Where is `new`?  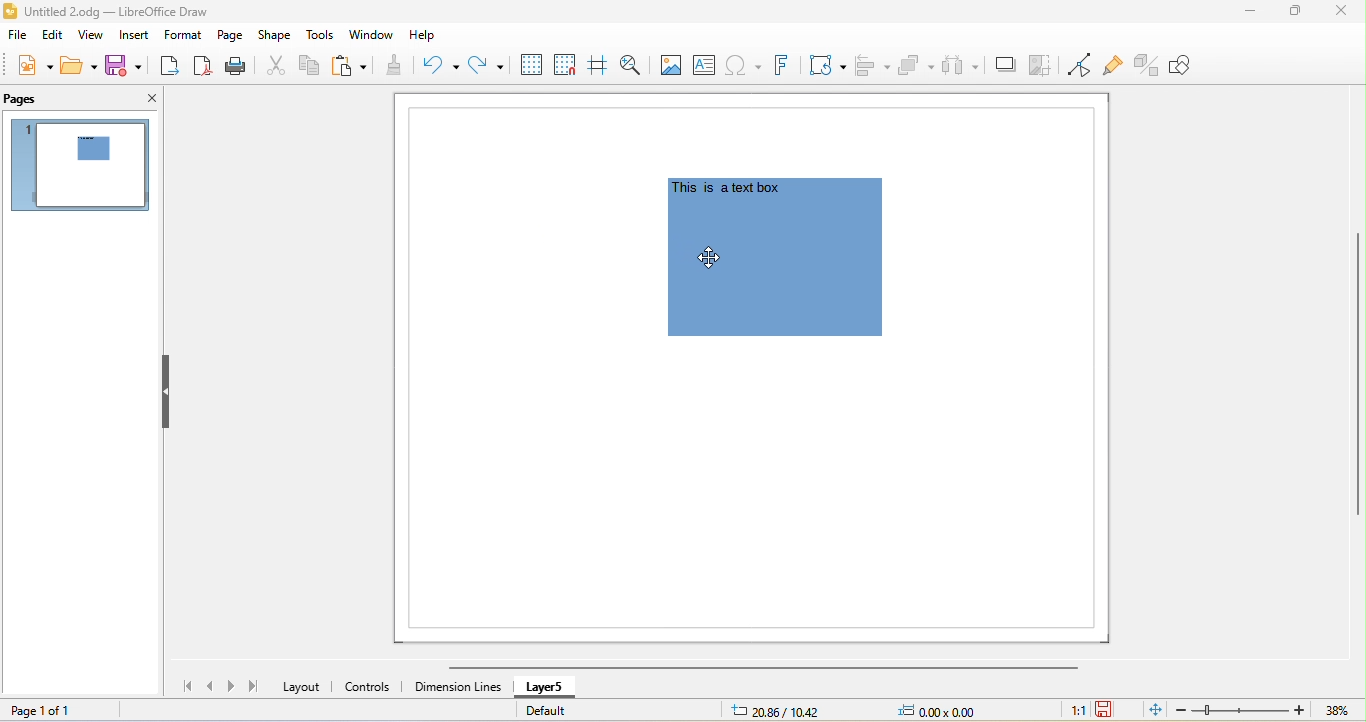
new is located at coordinates (30, 64).